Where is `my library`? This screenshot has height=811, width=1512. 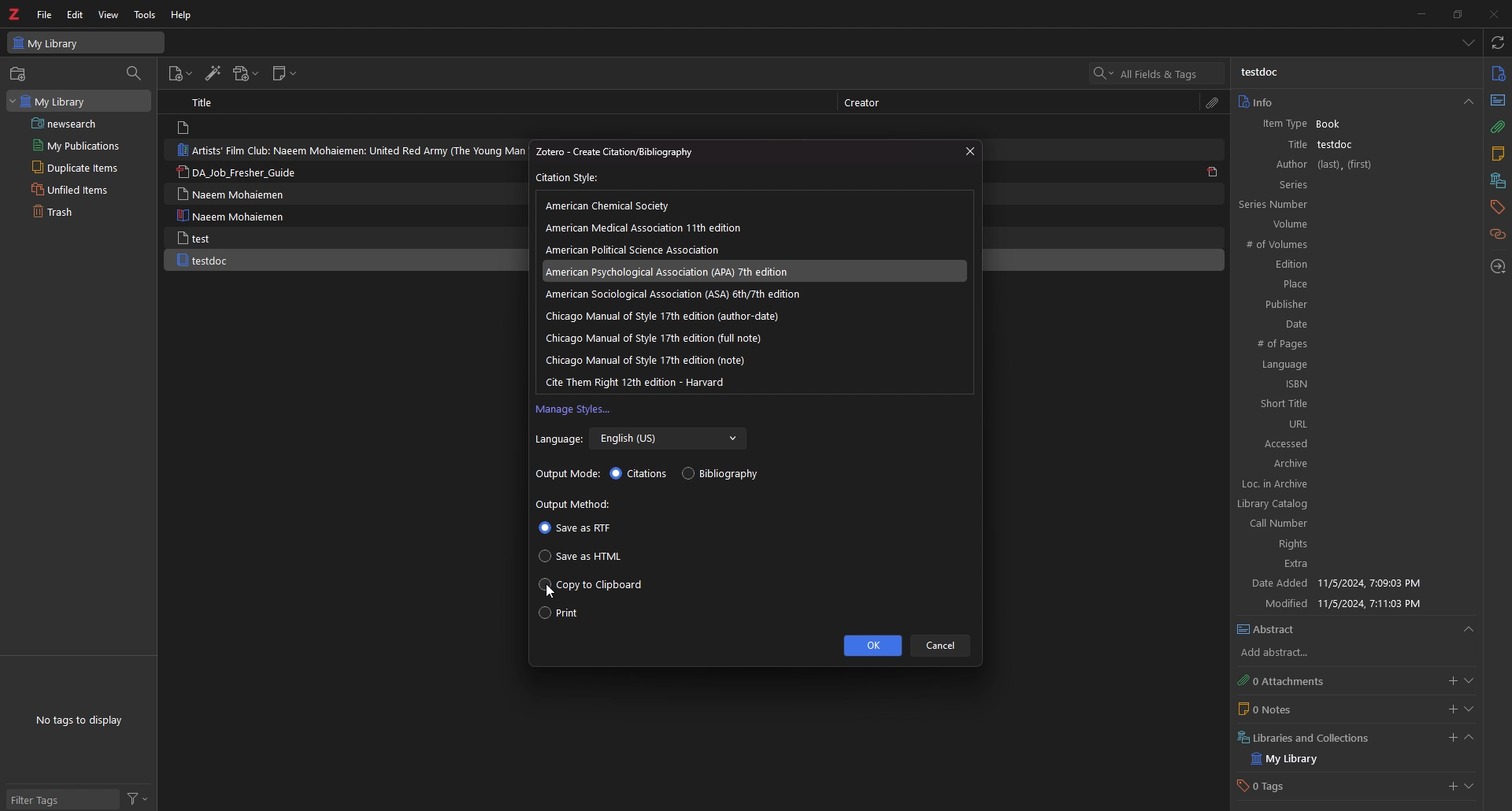 my library is located at coordinates (1299, 759).